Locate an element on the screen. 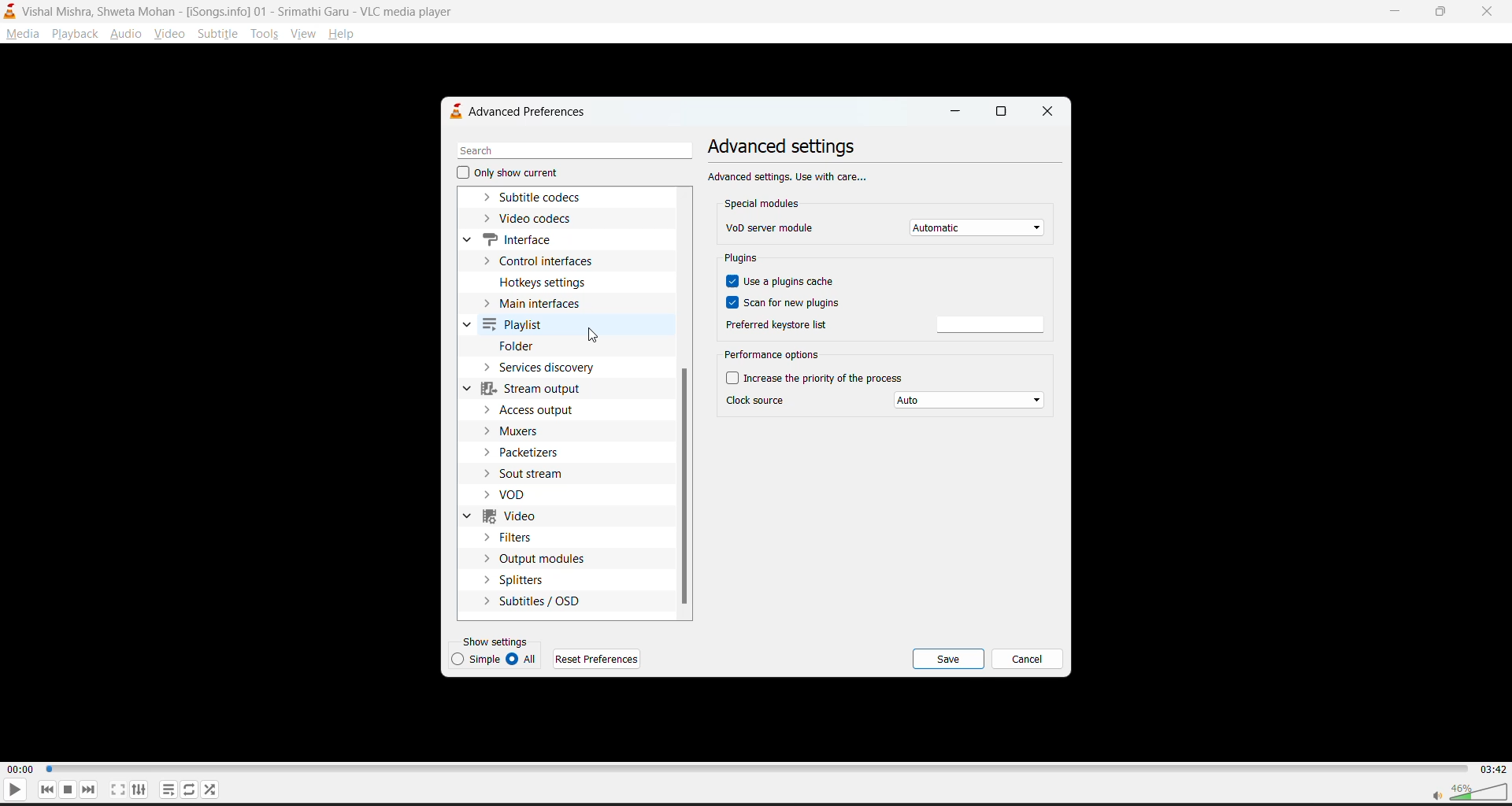  minimize is located at coordinates (1396, 12).